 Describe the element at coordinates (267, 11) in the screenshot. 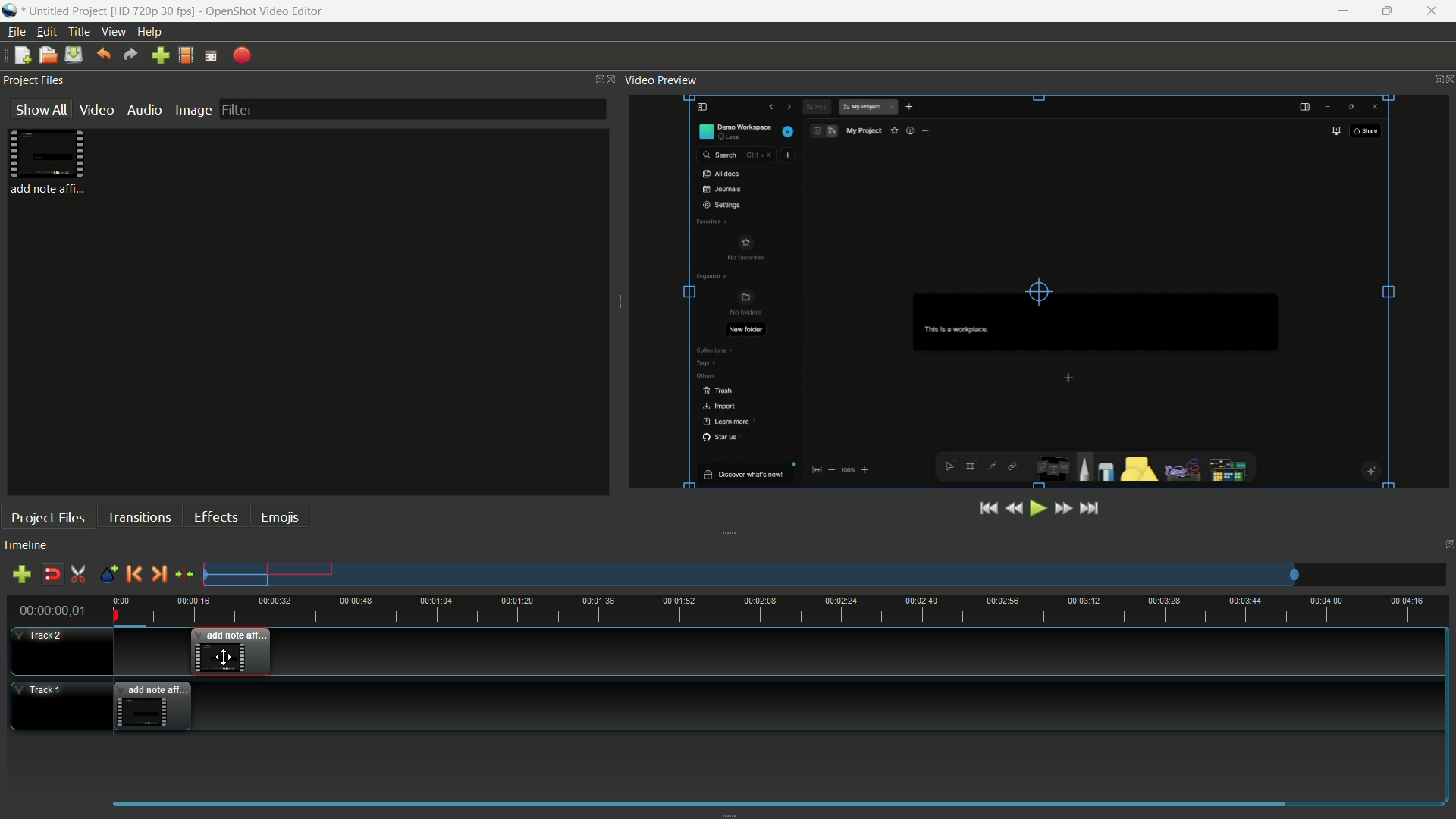

I see `app name` at that location.